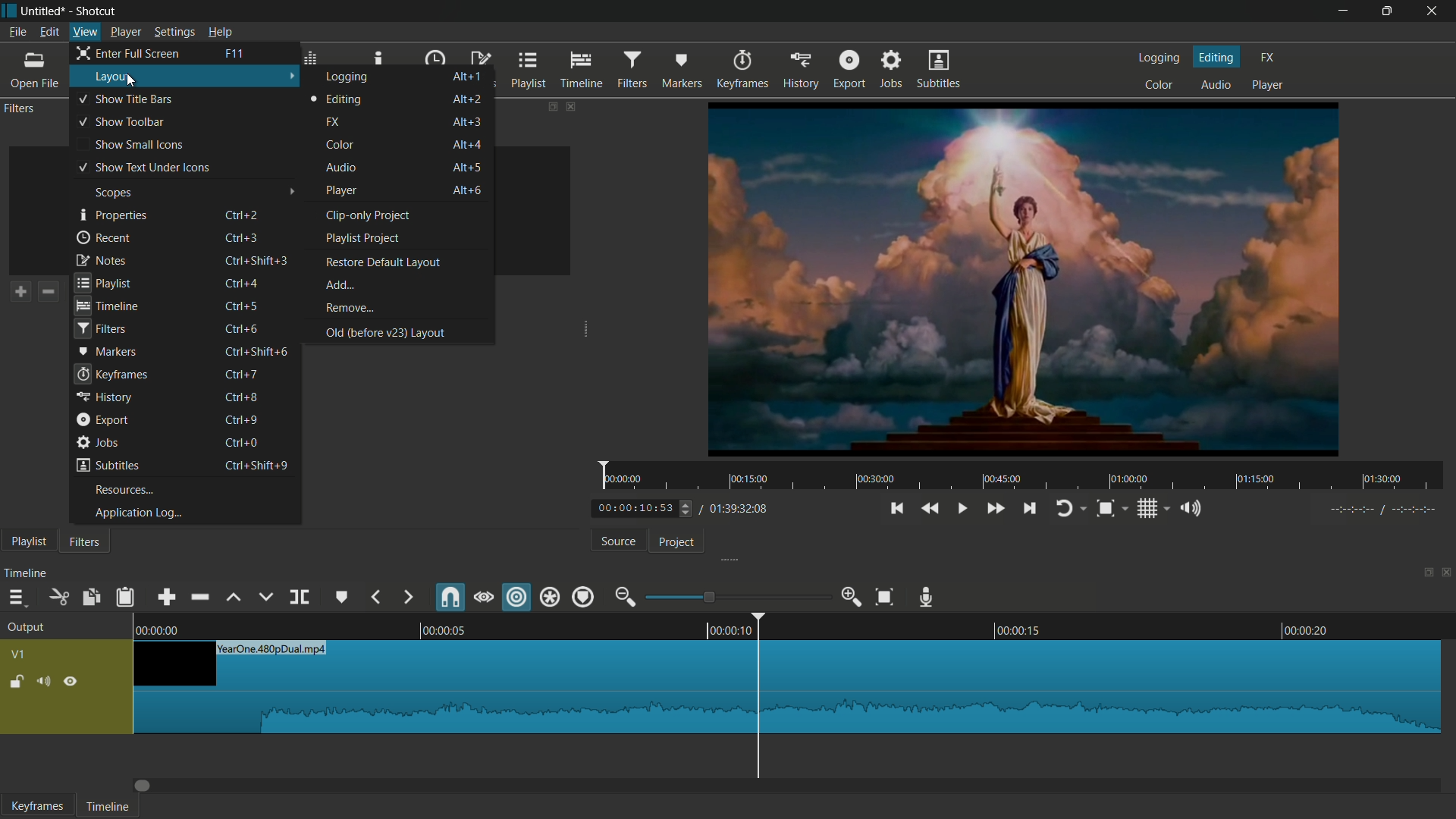  Describe the element at coordinates (24, 541) in the screenshot. I see `playlist` at that location.